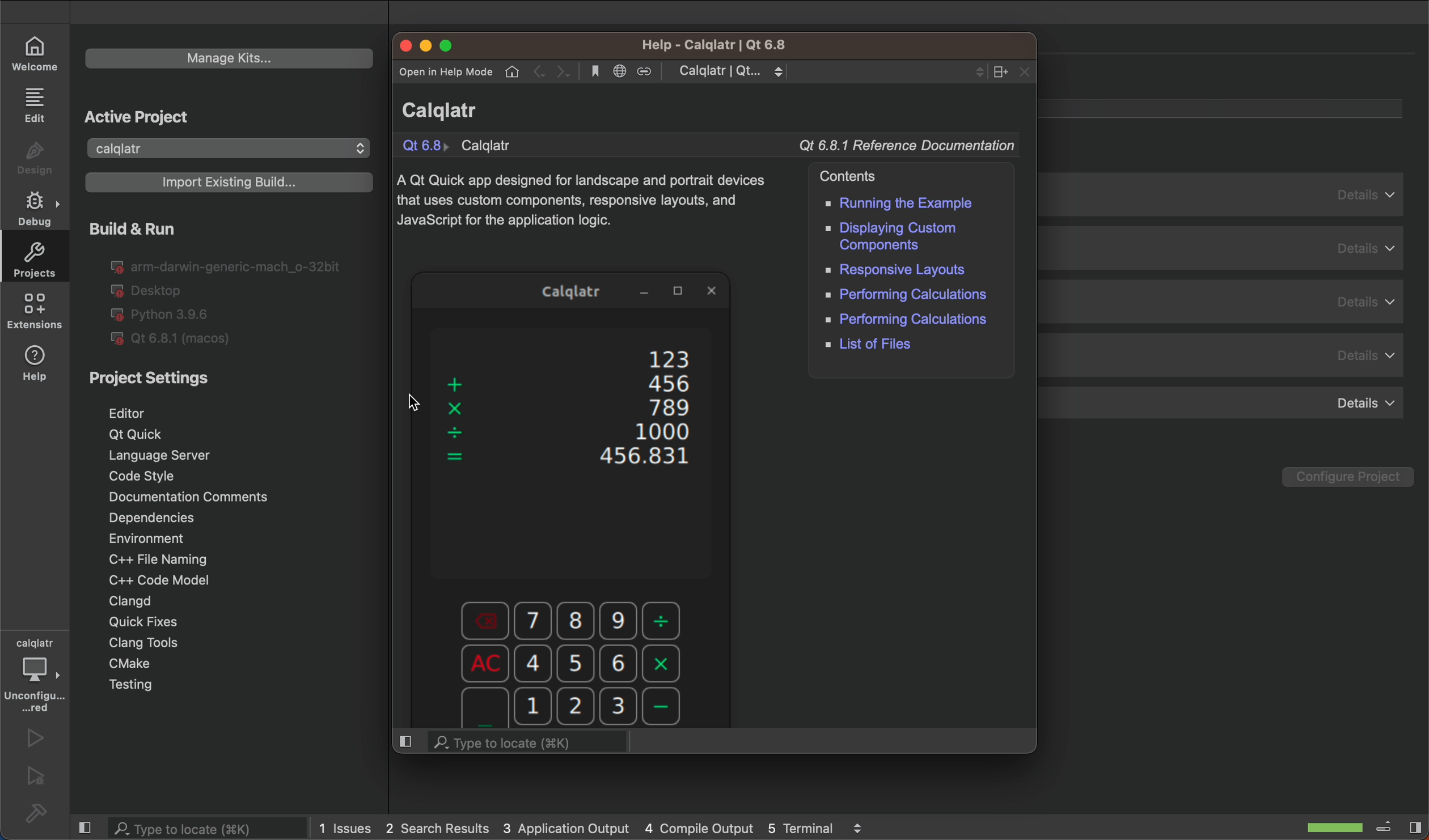 The width and height of the screenshot is (1429, 840). Describe the element at coordinates (187, 378) in the screenshot. I see `external links` at that location.